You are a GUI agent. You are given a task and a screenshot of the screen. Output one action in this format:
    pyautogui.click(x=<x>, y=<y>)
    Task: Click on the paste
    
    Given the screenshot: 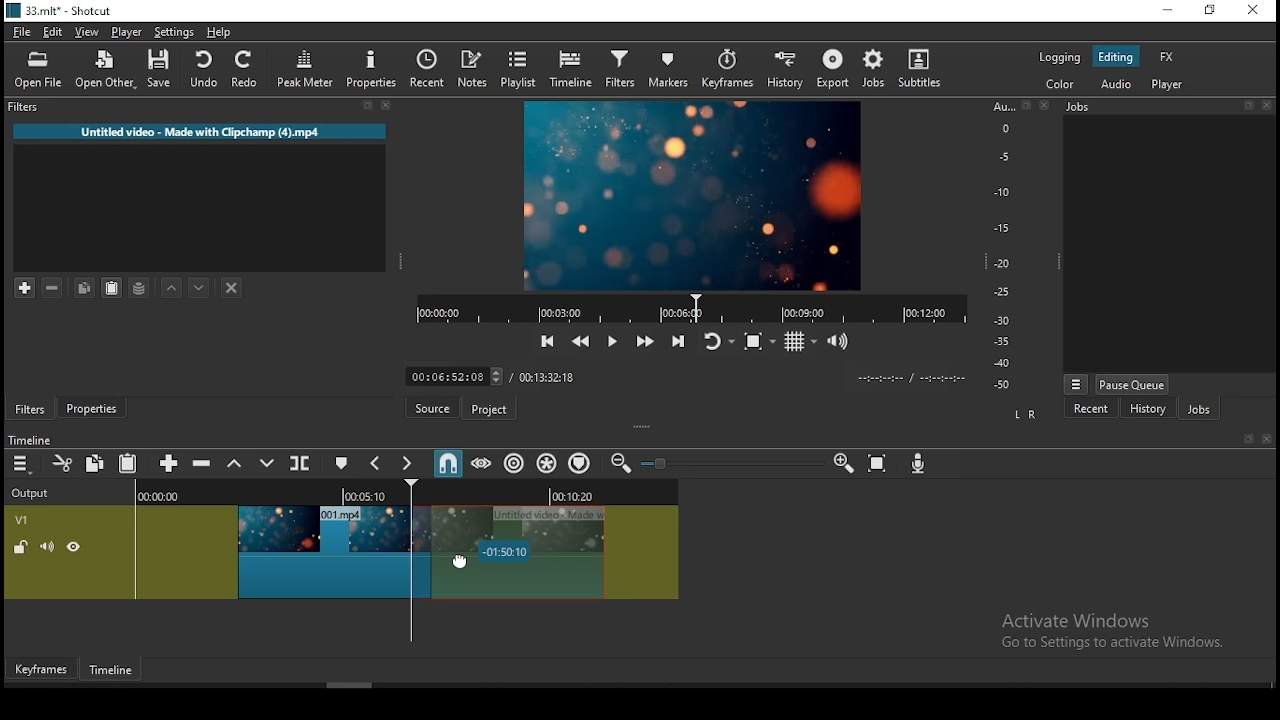 What is the action you would take?
    pyautogui.click(x=129, y=464)
    